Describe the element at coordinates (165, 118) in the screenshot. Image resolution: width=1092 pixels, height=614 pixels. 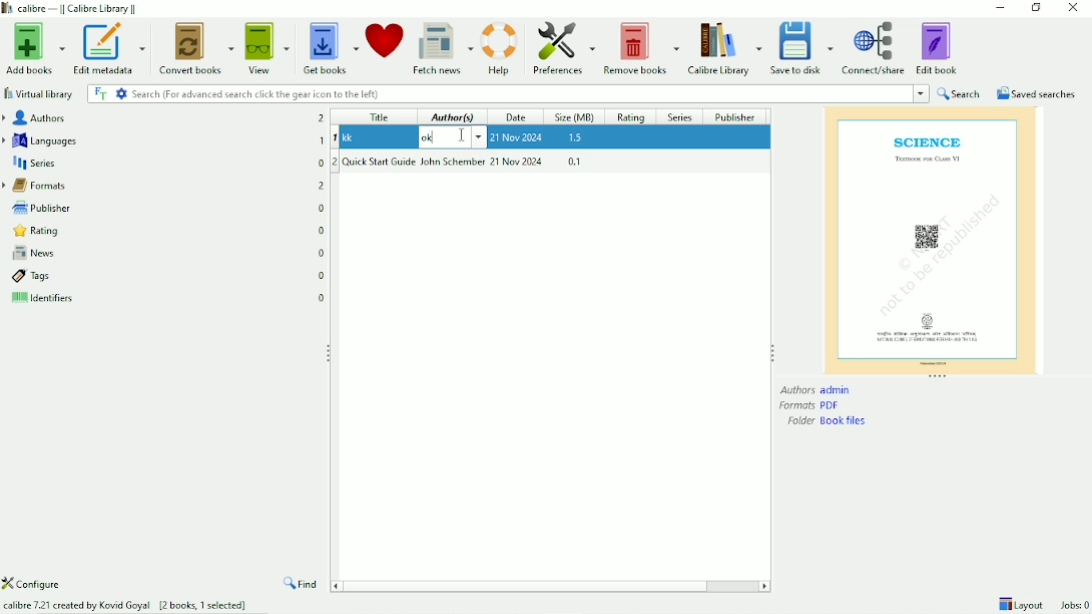
I see `Authors` at that location.